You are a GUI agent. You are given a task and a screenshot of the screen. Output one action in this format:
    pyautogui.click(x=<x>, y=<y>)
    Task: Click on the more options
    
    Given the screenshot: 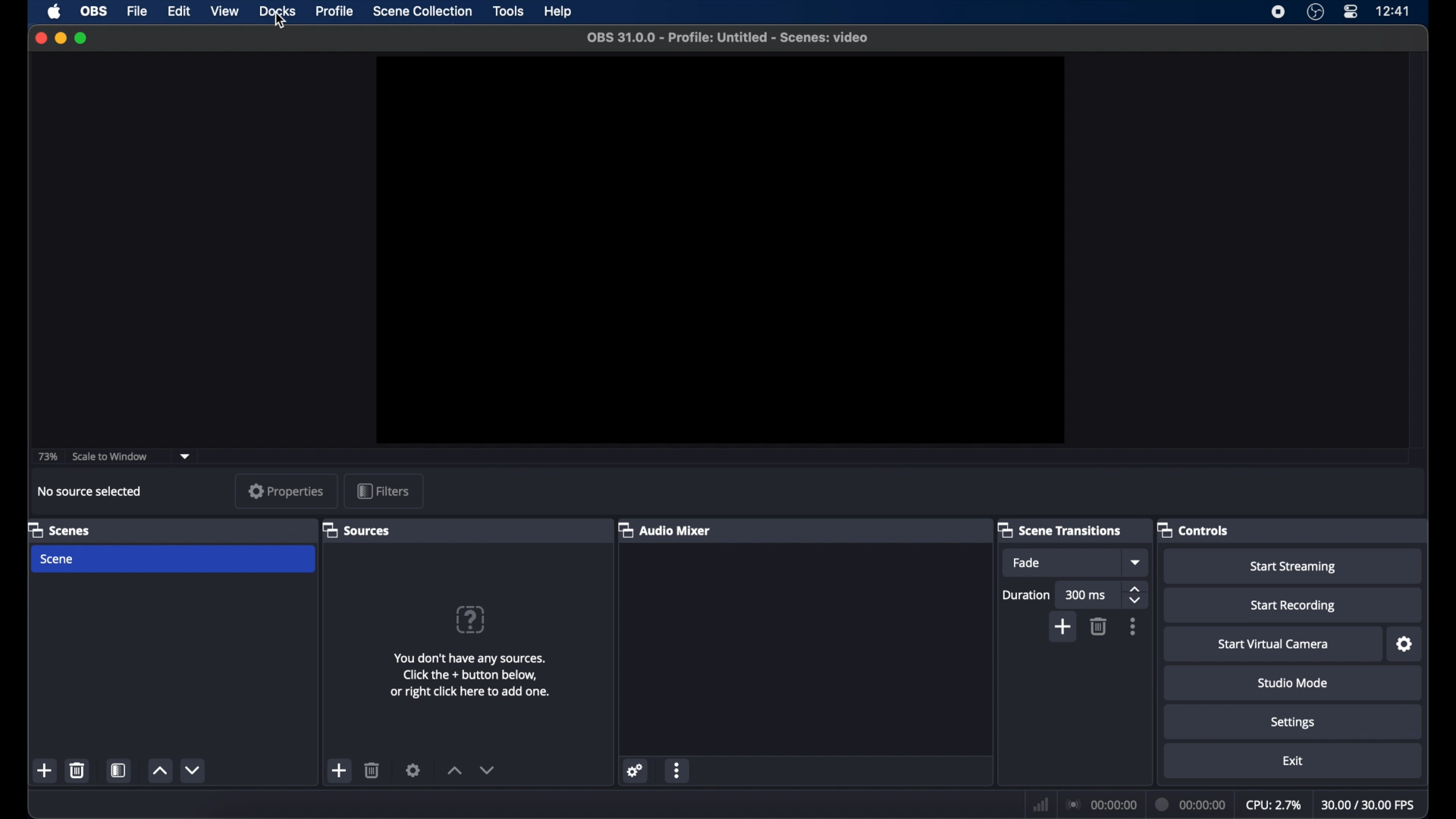 What is the action you would take?
    pyautogui.click(x=677, y=770)
    